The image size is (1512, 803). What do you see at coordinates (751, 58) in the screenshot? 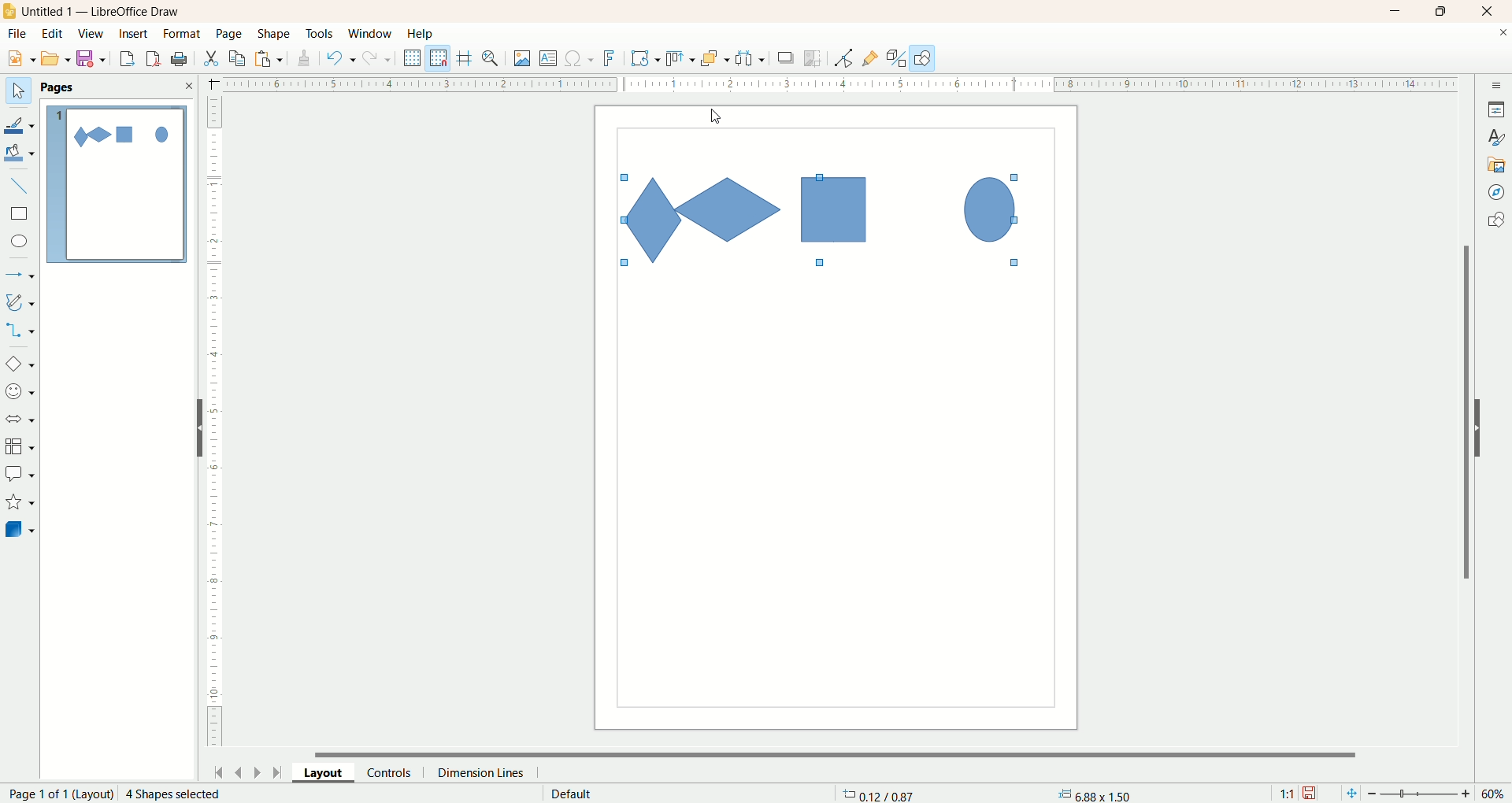
I see `select at least three objects to distribute` at bounding box center [751, 58].